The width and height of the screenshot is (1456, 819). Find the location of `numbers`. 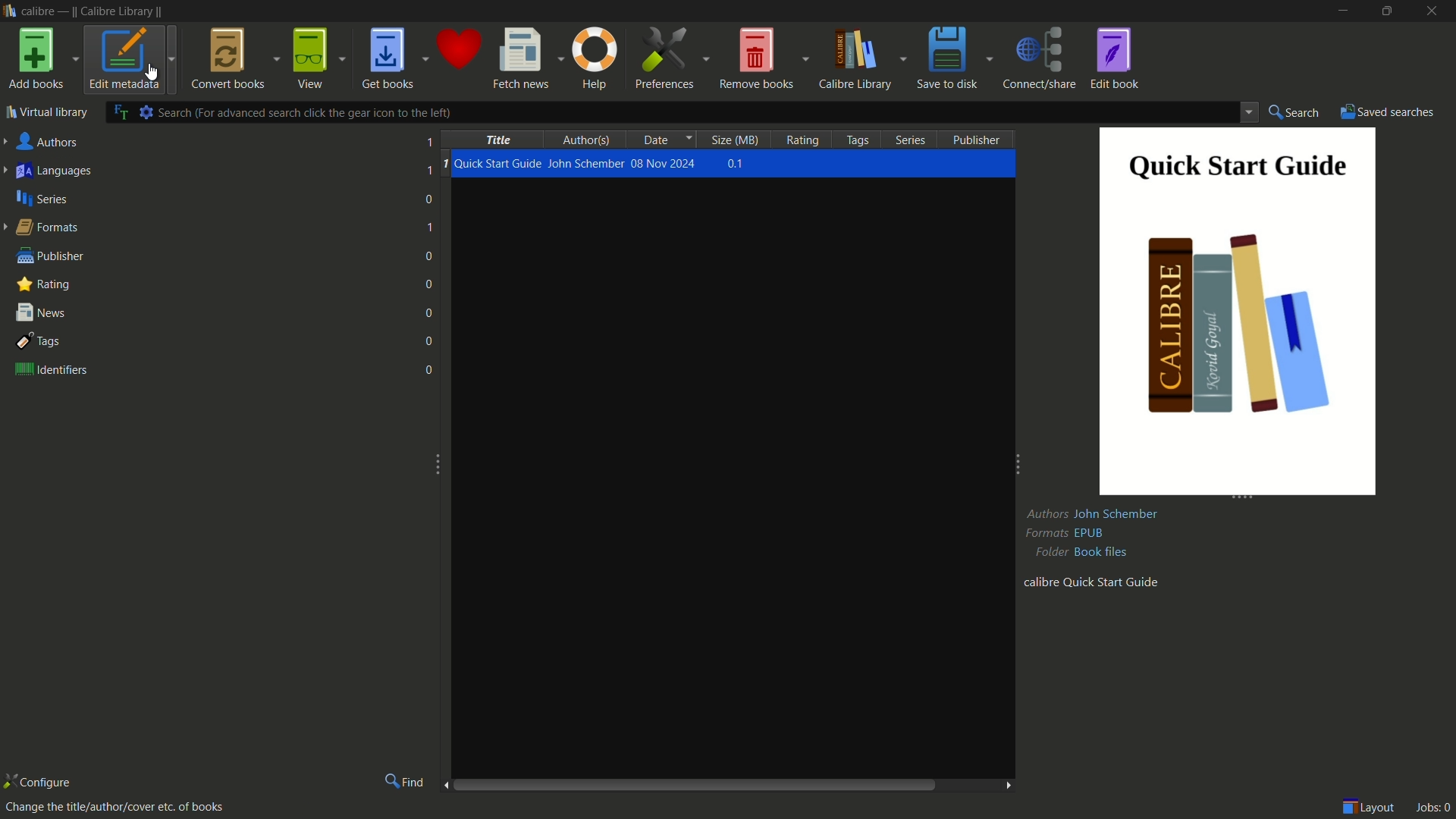

numbers is located at coordinates (428, 264).